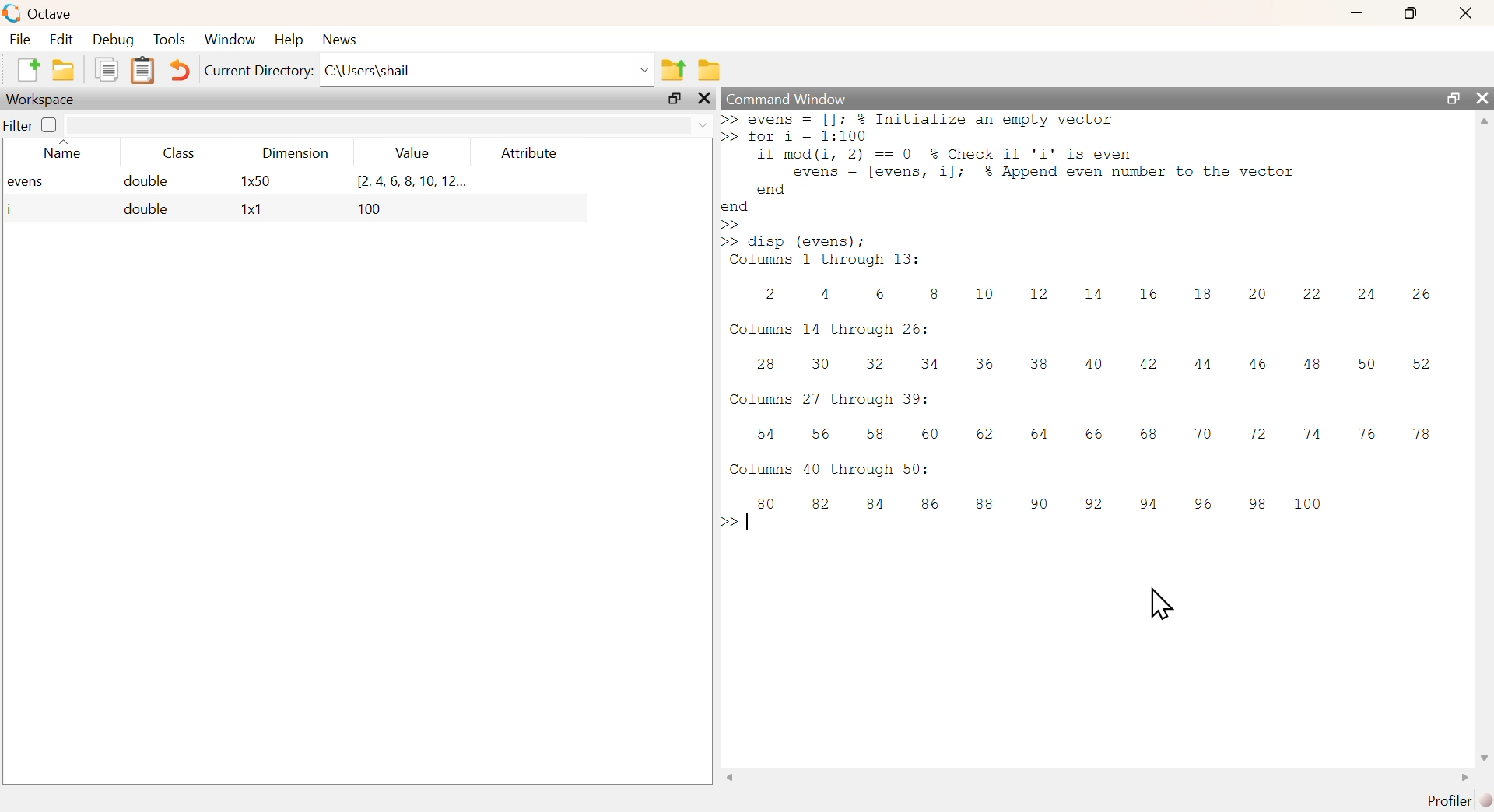 This screenshot has height=812, width=1494. I want to click on current directory, so click(258, 70).